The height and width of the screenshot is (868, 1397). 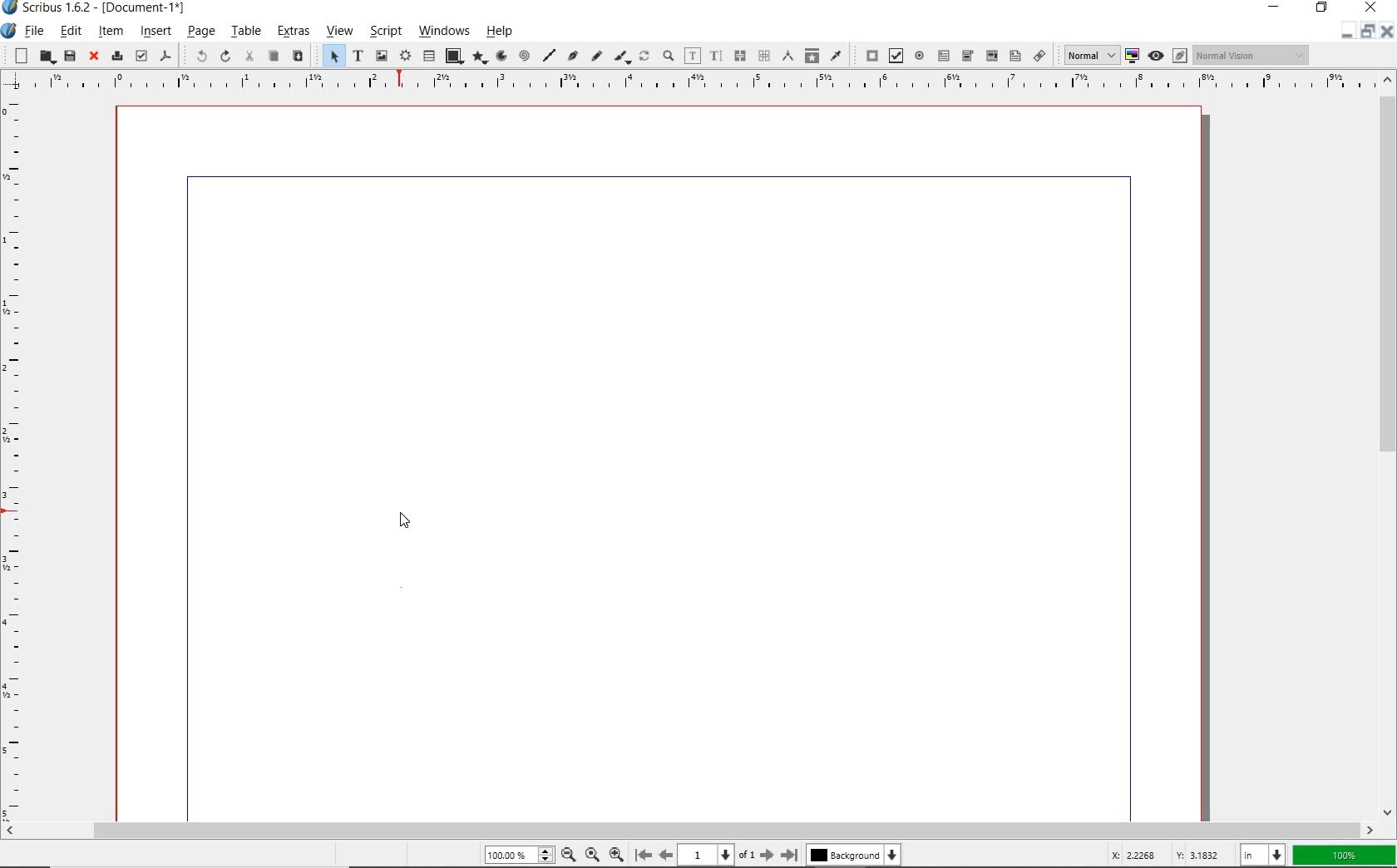 I want to click on edit contents of frame, so click(x=693, y=57).